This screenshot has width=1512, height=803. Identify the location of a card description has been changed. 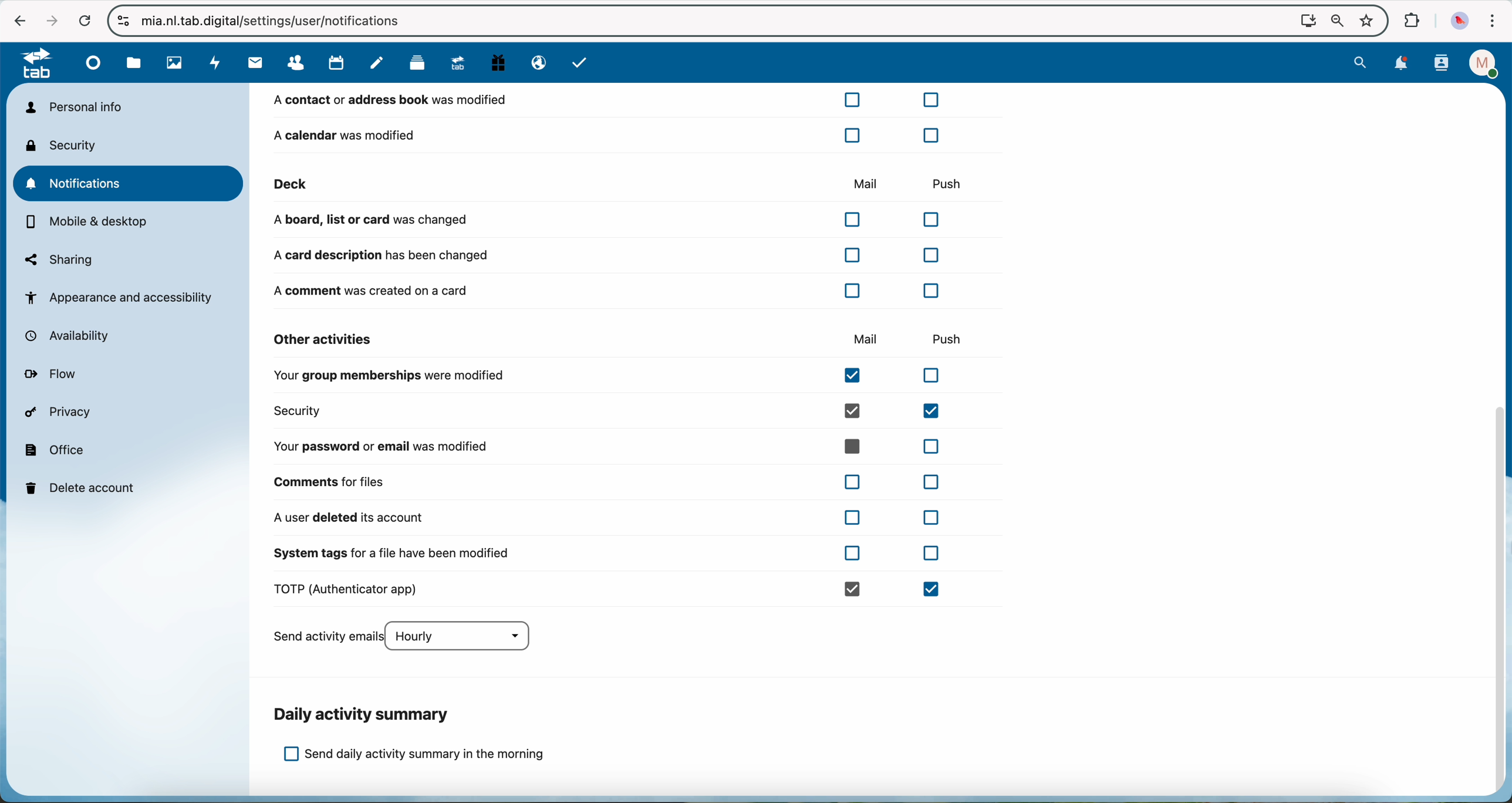
(606, 255).